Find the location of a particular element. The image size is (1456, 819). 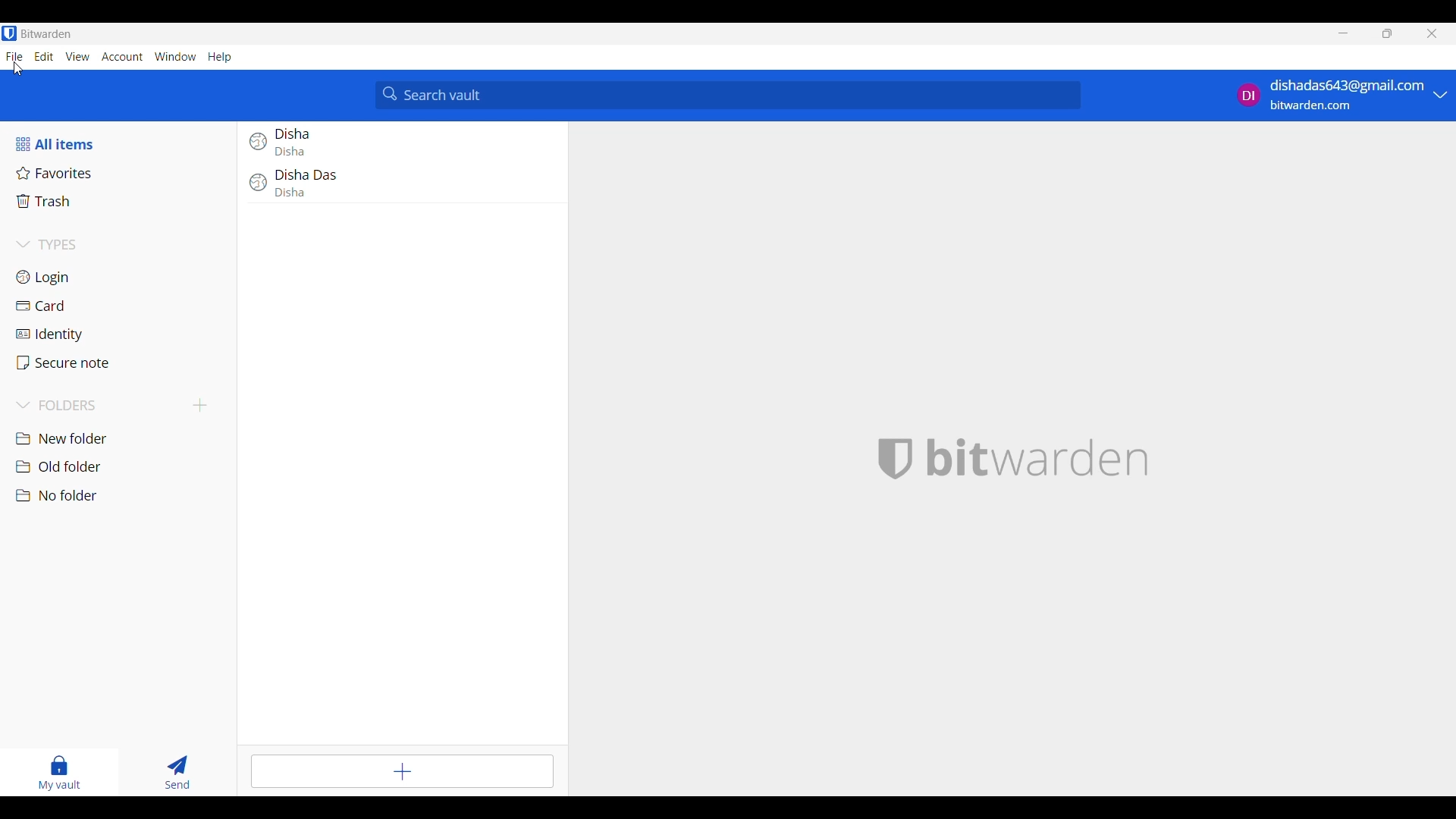

login entry info  is located at coordinates (397, 186).